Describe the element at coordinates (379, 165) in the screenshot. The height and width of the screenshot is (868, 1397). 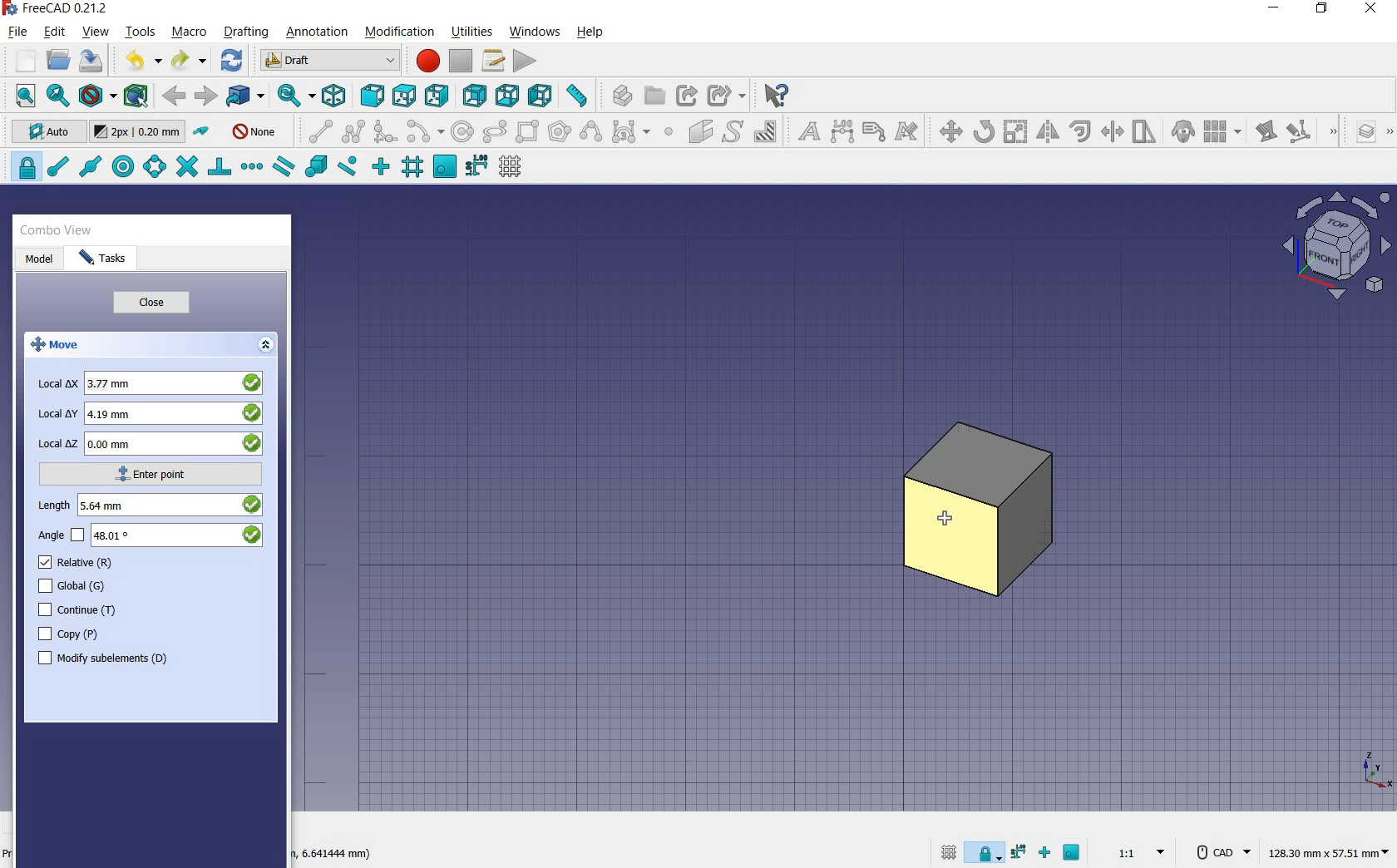
I see `snap ortho` at that location.